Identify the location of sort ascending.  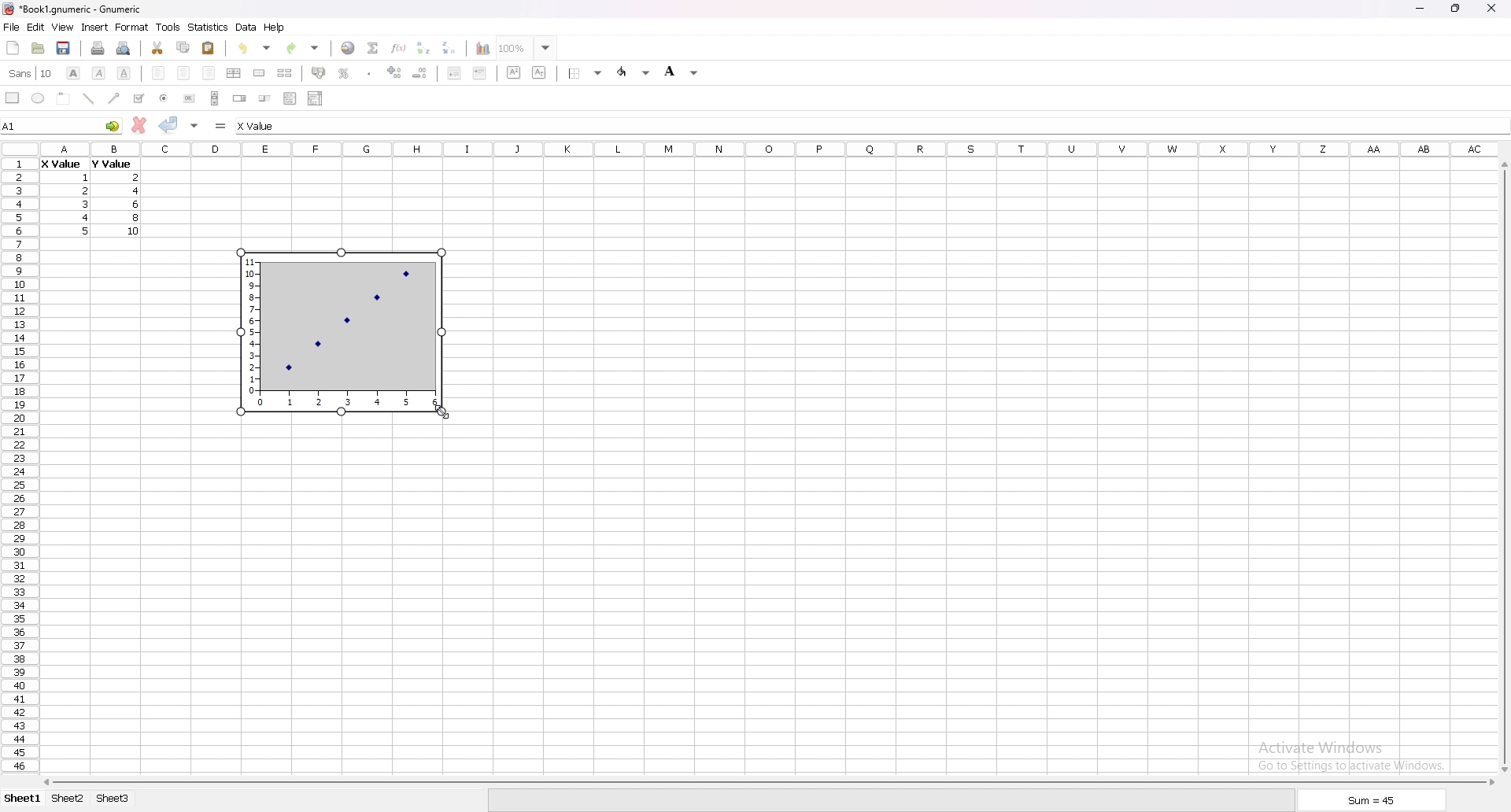
(423, 47).